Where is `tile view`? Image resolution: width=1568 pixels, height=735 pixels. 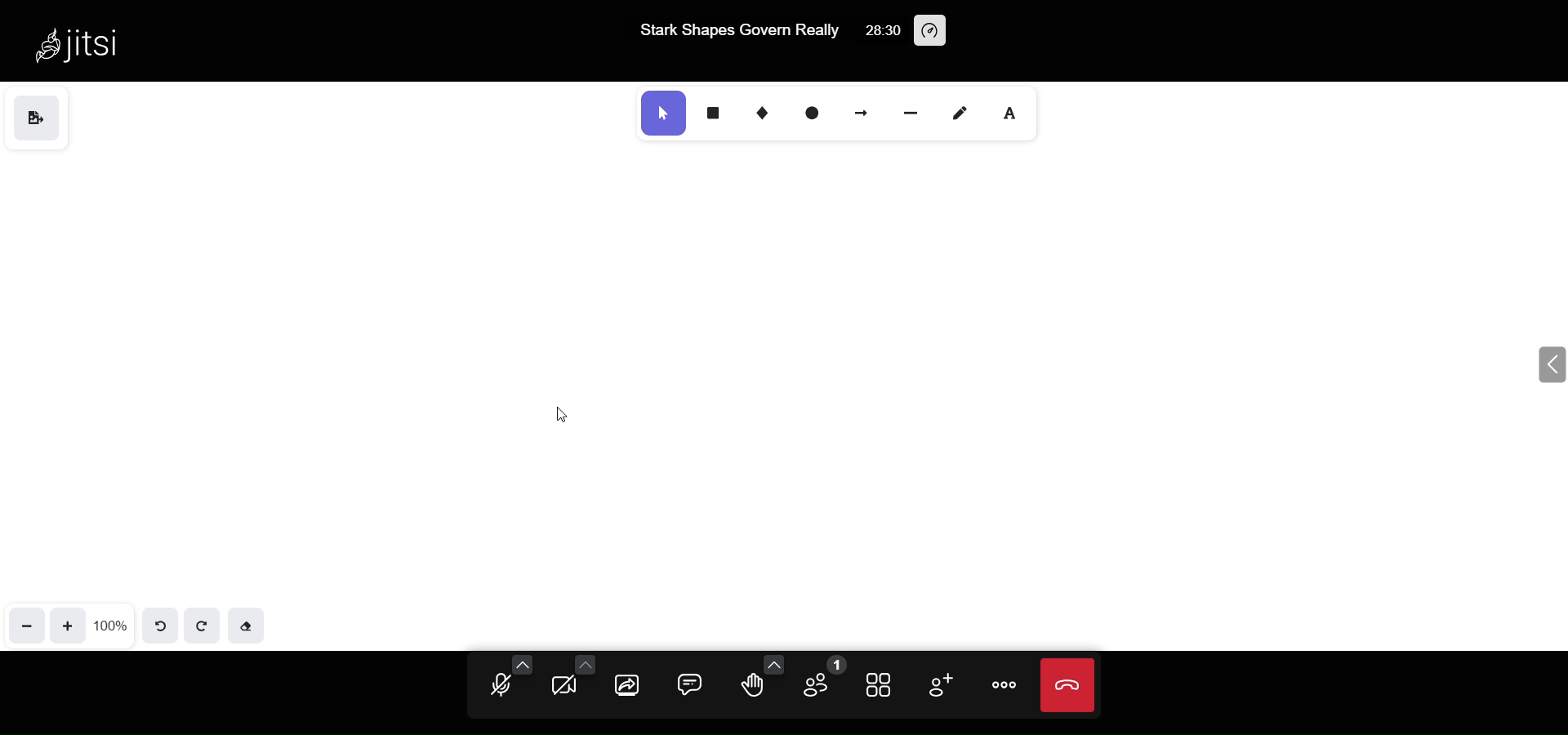 tile view is located at coordinates (878, 686).